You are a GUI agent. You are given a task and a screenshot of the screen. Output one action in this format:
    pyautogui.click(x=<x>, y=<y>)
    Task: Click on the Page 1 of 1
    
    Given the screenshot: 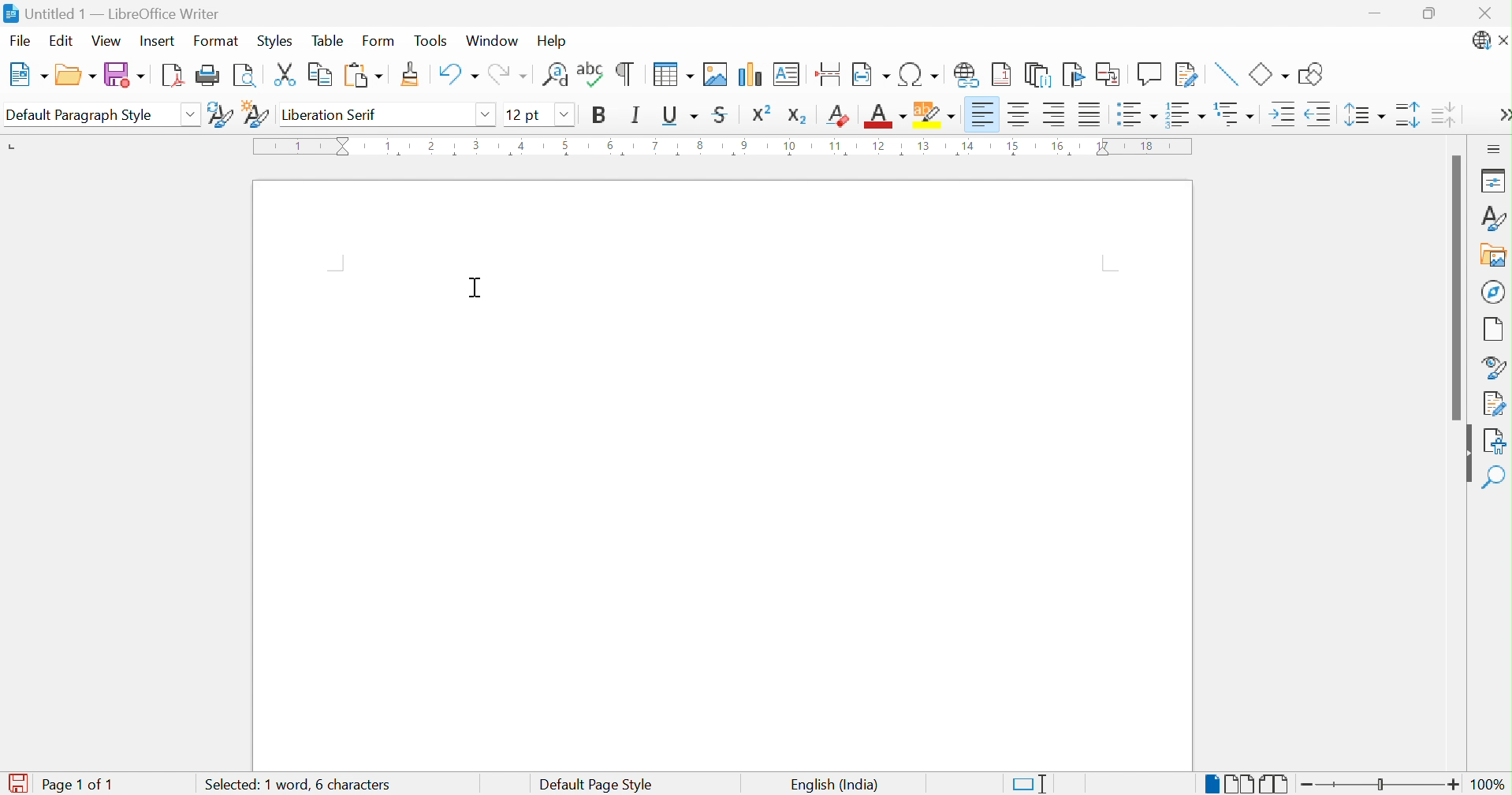 What is the action you would take?
    pyautogui.click(x=76, y=784)
    